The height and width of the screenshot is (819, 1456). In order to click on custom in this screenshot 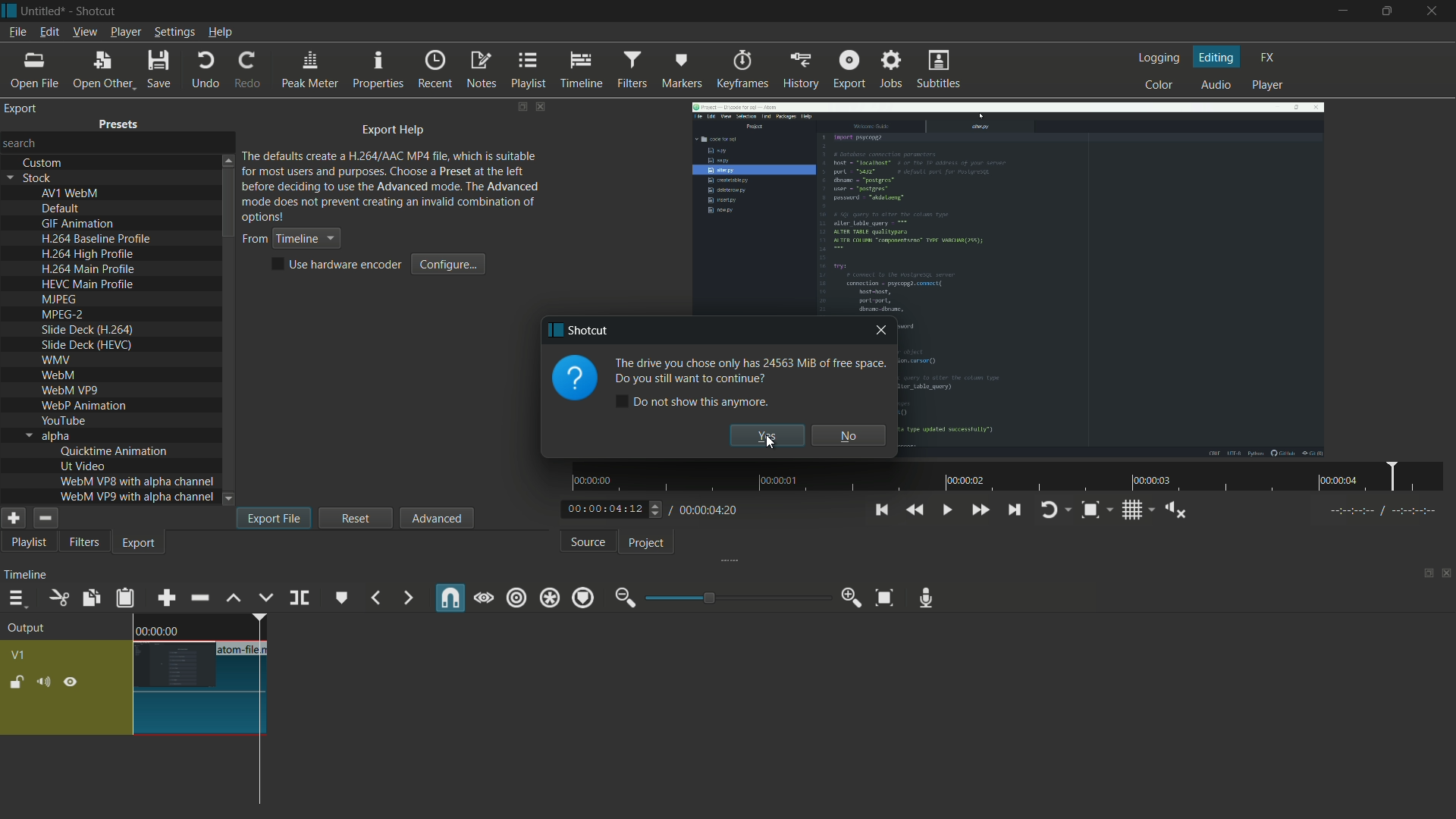, I will do `click(43, 163)`.